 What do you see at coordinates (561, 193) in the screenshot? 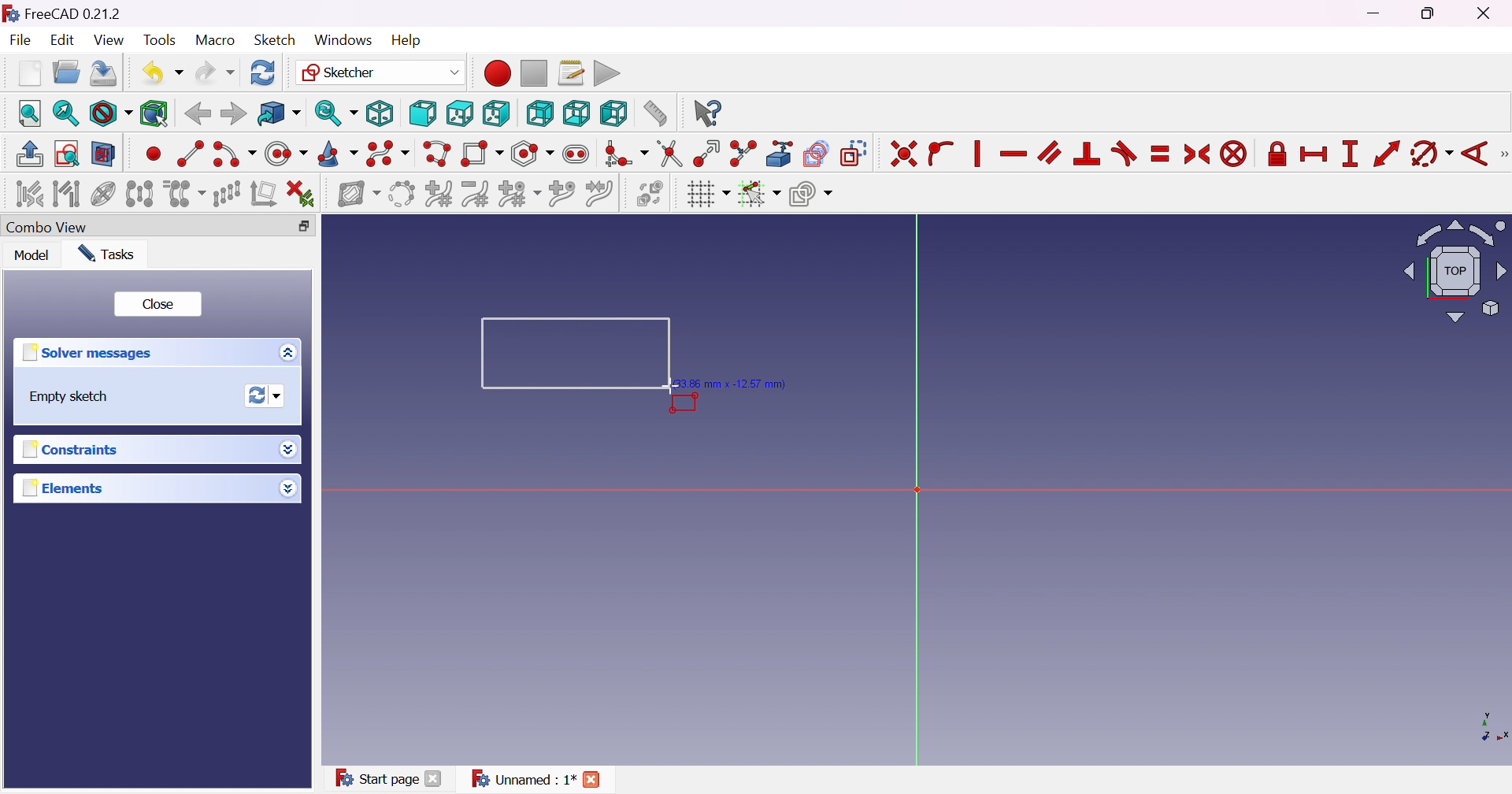
I see `Insert knot` at bounding box center [561, 193].